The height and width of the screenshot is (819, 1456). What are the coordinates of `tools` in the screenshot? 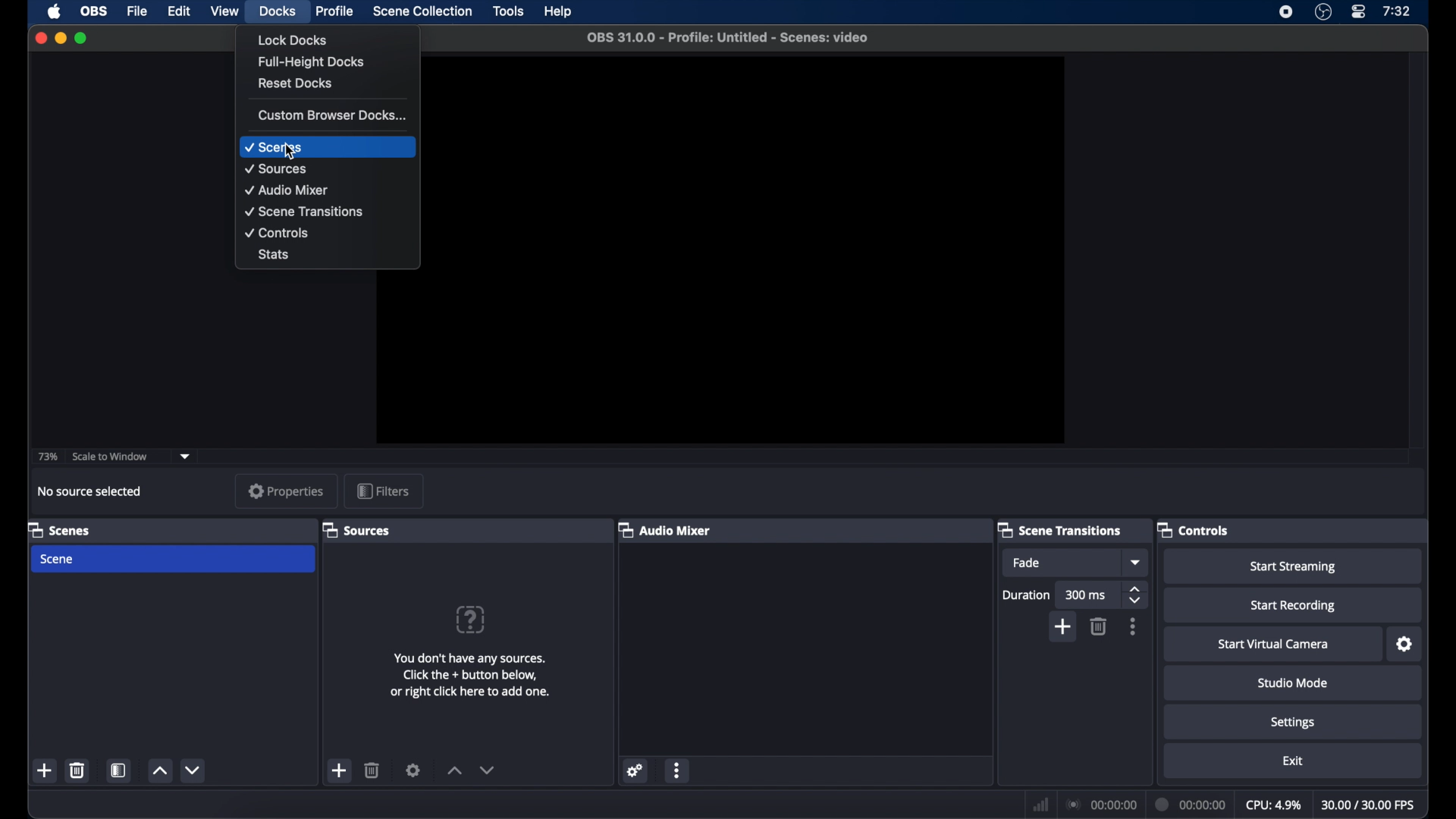 It's located at (509, 11).